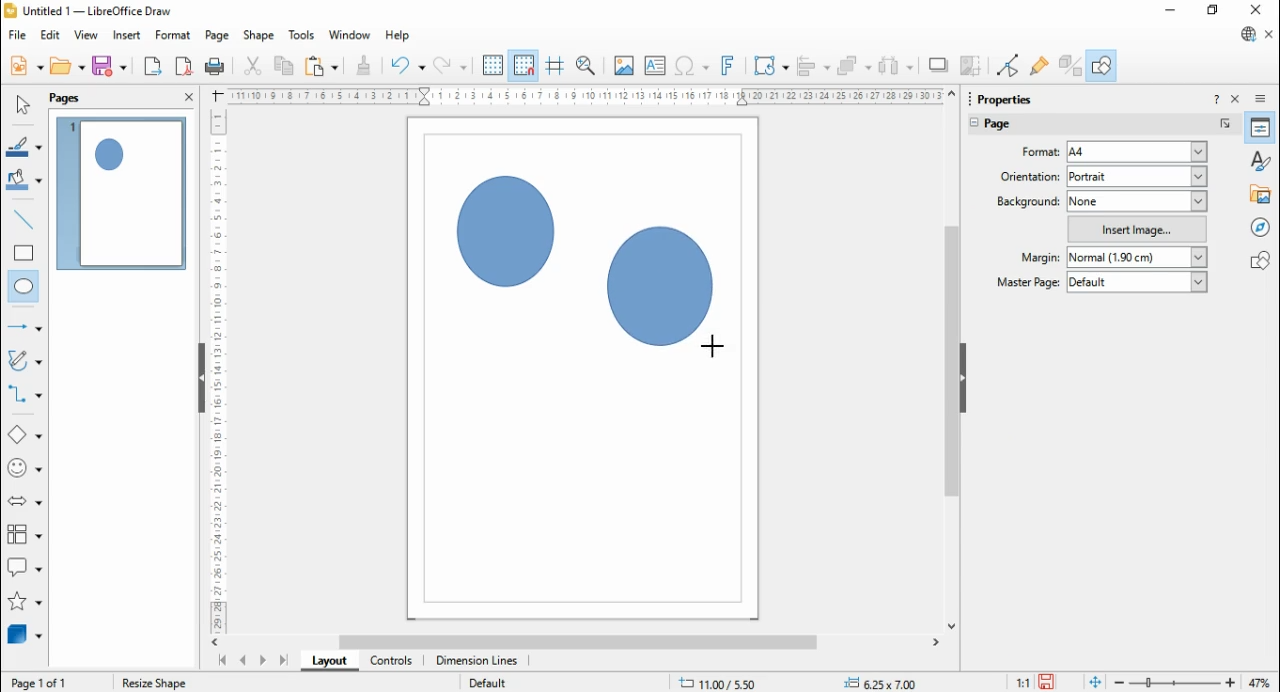 The height and width of the screenshot is (692, 1280). I want to click on open, so click(67, 66).